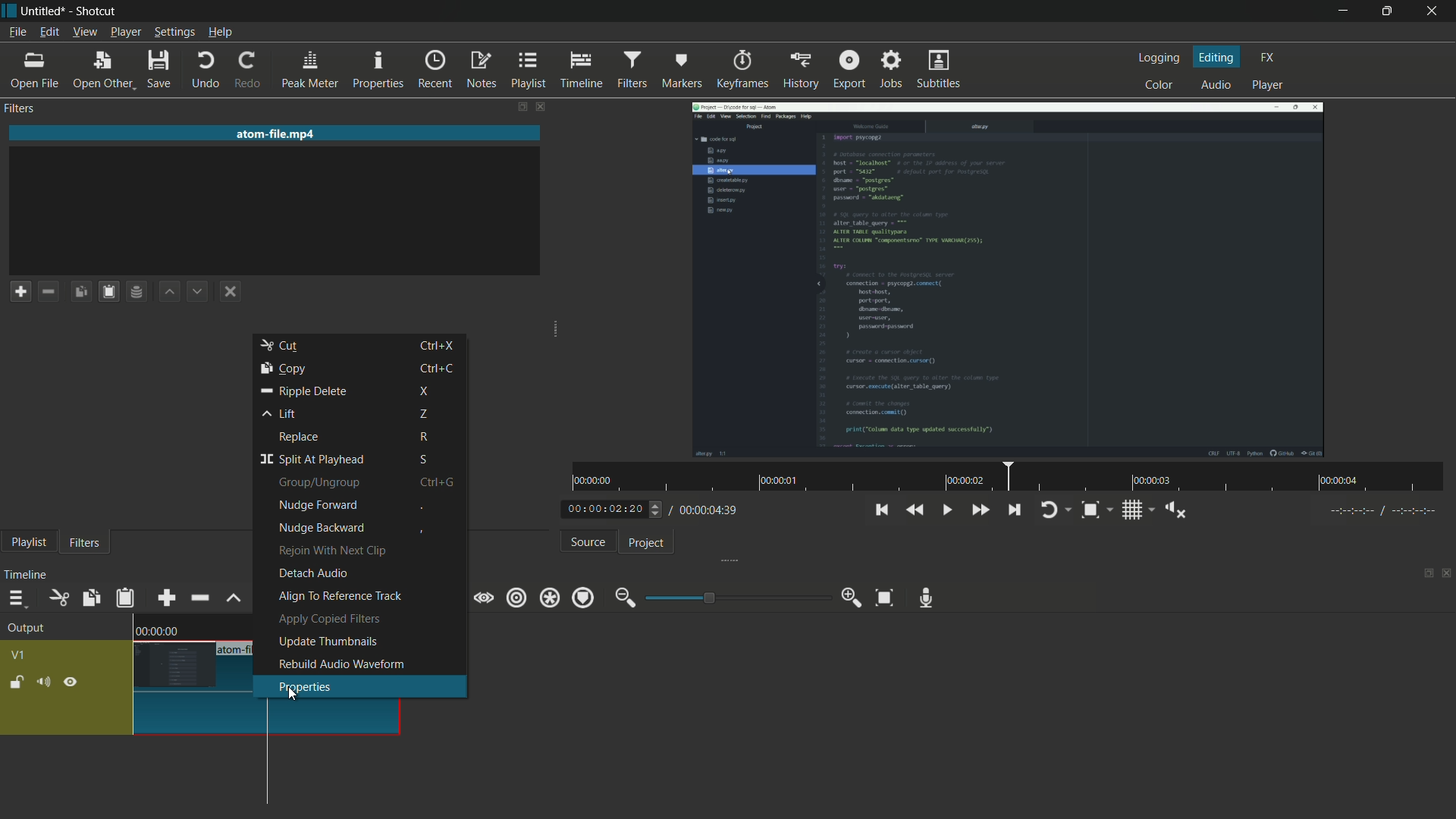 The height and width of the screenshot is (819, 1456). What do you see at coordinates (1447, 576) in the screenshot?
I see `close timeline` at bounding box center [1447, 576].